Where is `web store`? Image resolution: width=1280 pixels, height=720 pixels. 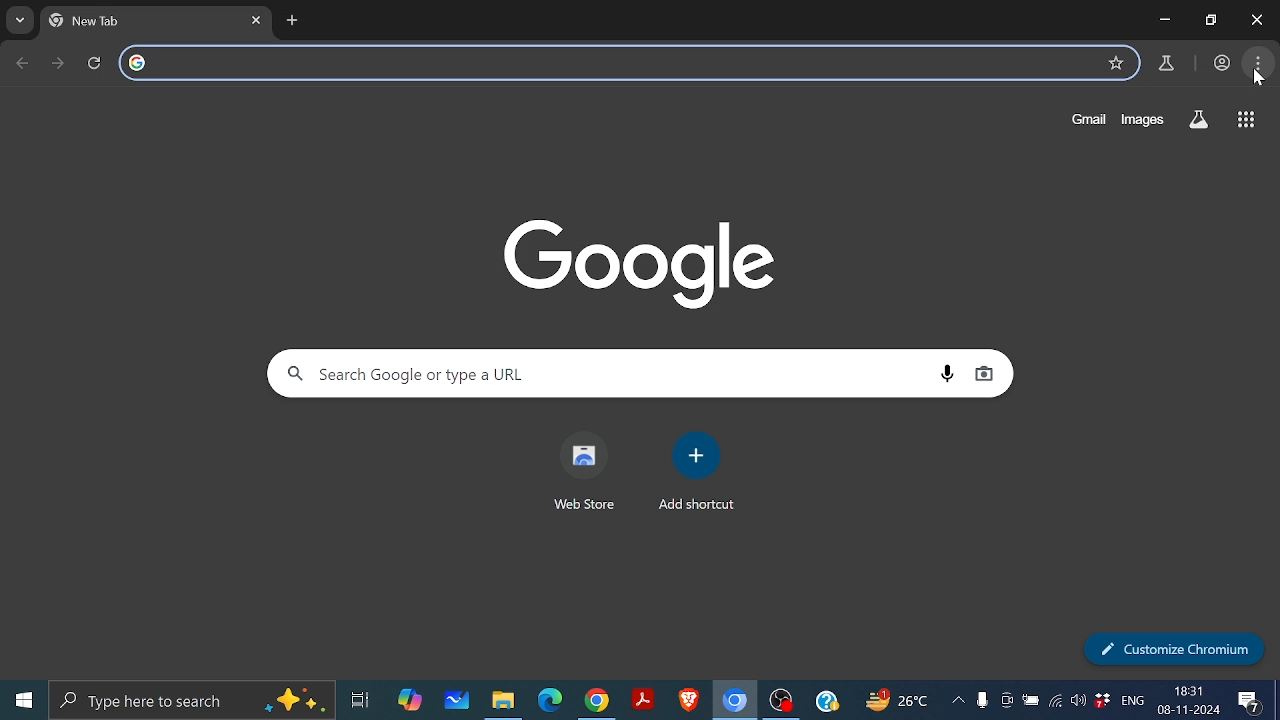
web store is located at coordinates (581, 507).